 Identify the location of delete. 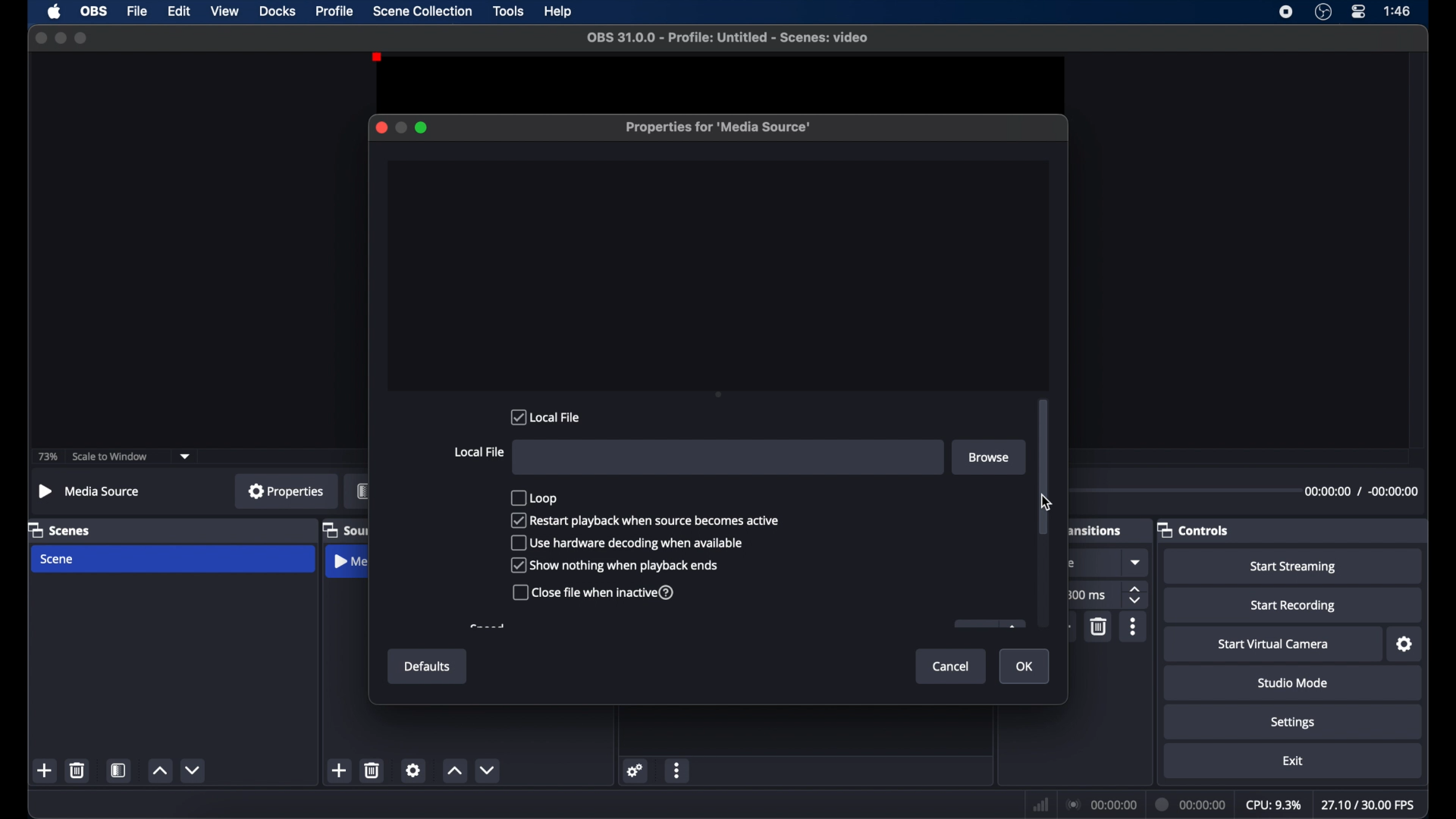
(372, 770).